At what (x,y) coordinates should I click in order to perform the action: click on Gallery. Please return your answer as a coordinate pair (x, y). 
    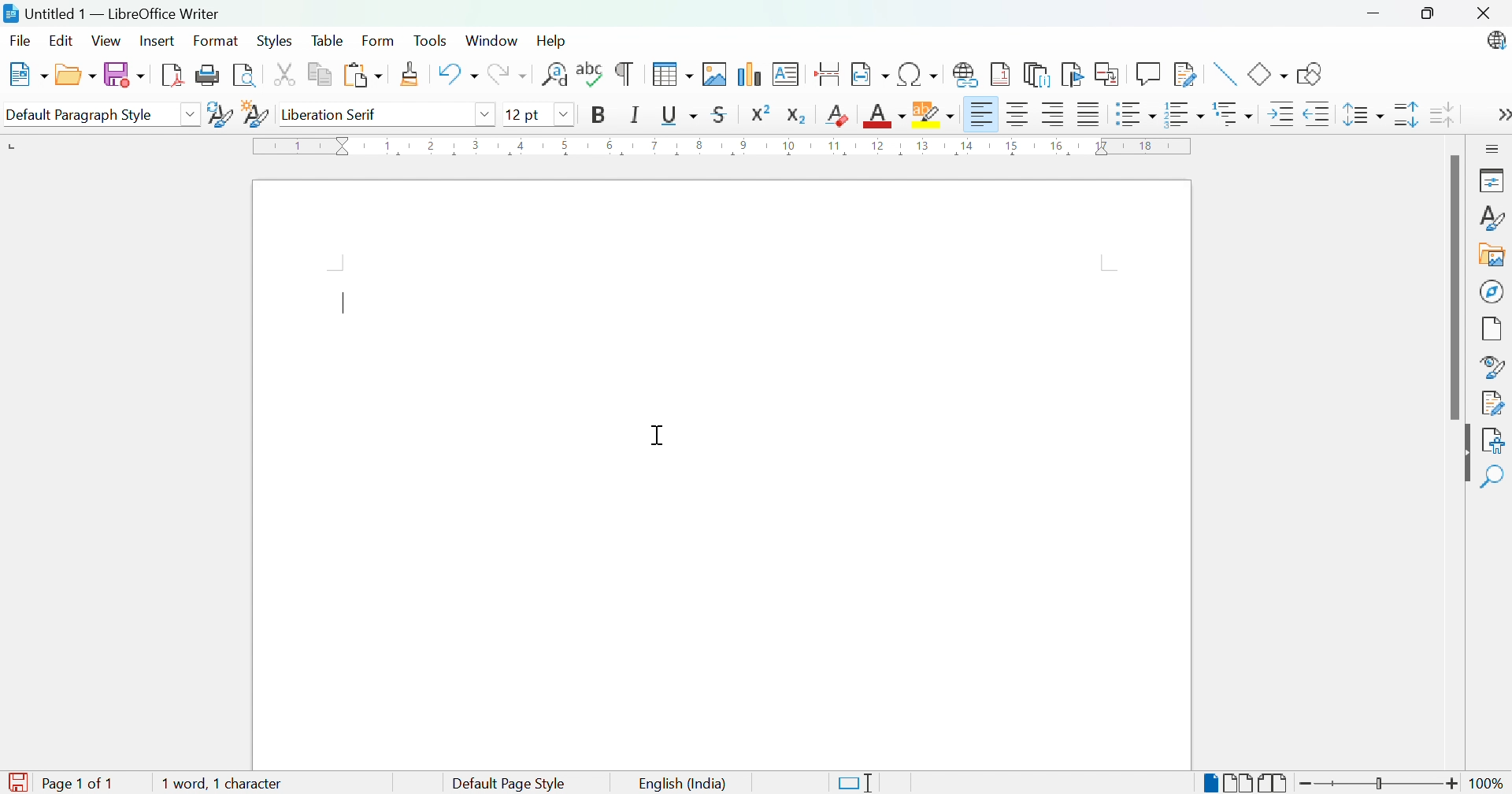
    Looking at the image, I should click on (1489, 254).